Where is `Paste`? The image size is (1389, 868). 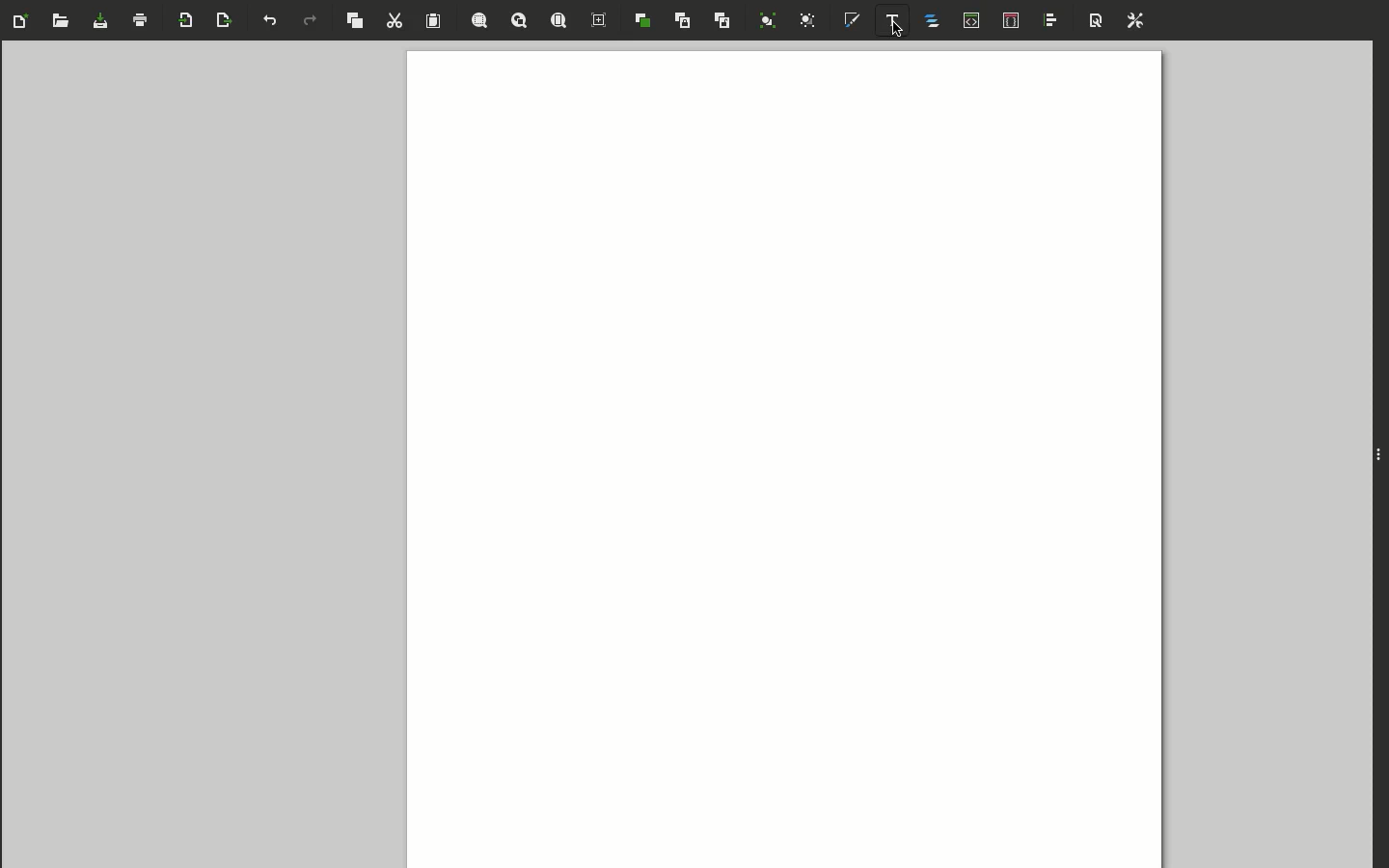
Paste is located at coordinates (436, 21).